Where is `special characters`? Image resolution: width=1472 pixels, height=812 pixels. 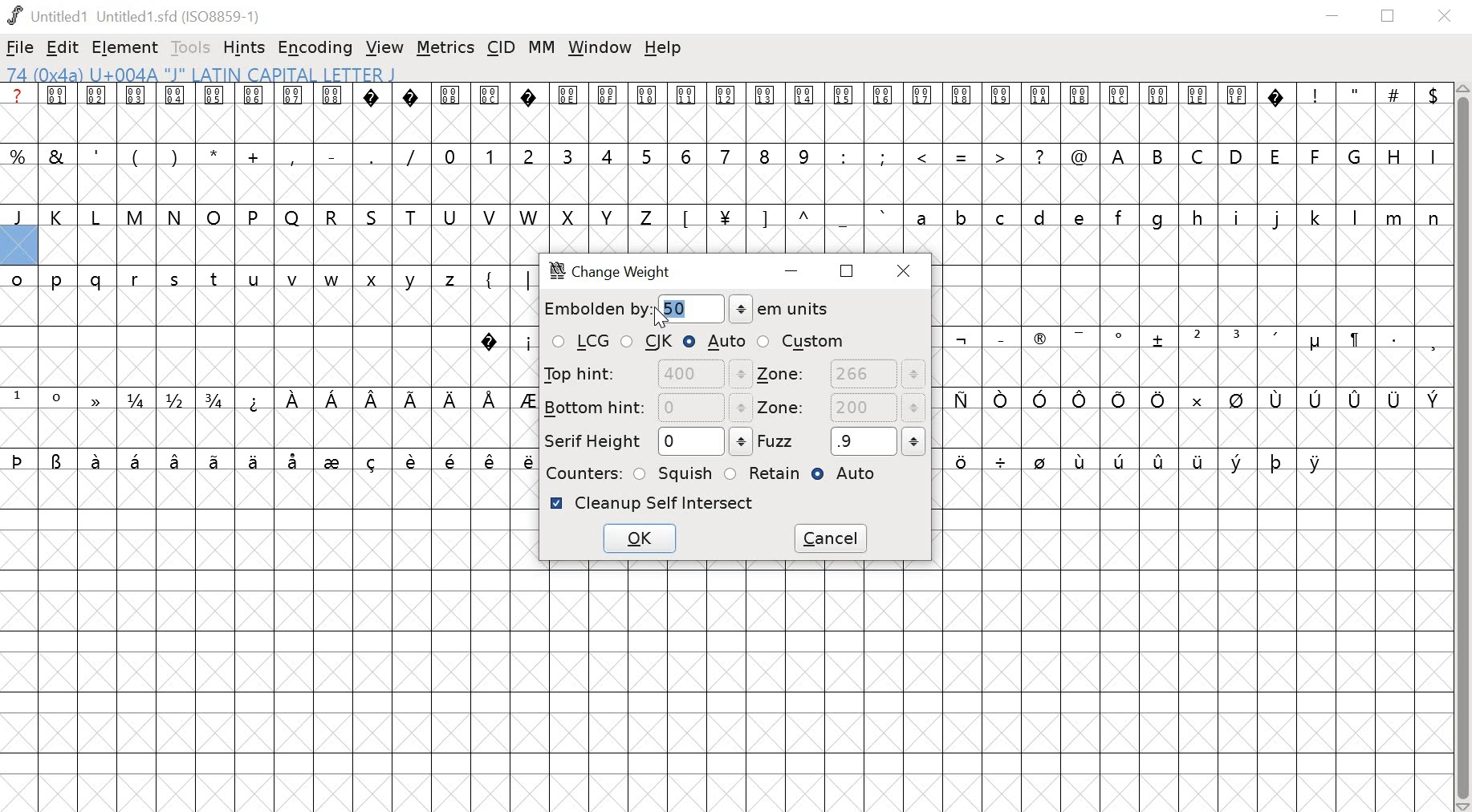 special characters is located at coordinates (958, 158).